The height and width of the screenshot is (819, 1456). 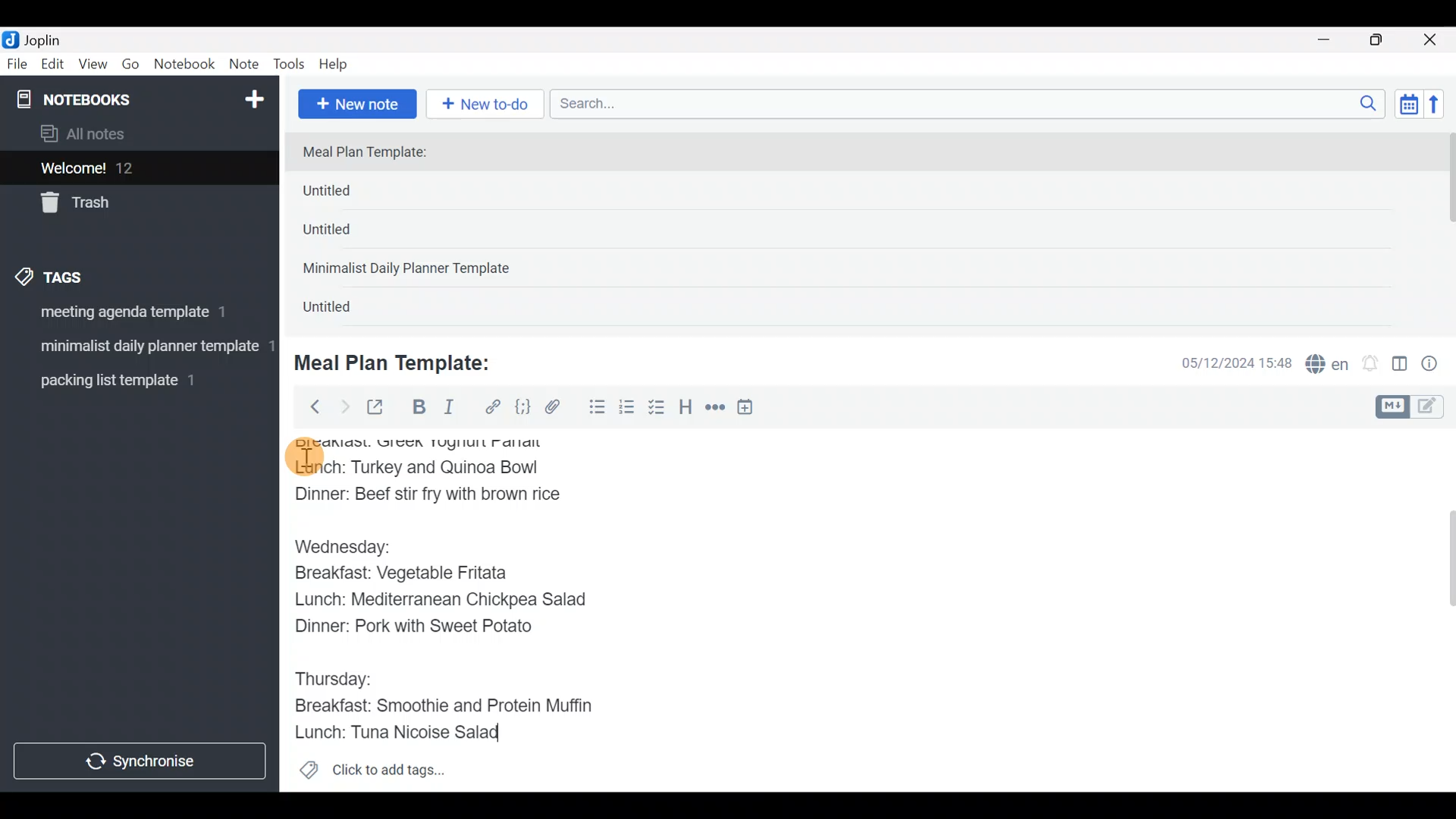 I want to click on Bold, so click(x=418, y=409).